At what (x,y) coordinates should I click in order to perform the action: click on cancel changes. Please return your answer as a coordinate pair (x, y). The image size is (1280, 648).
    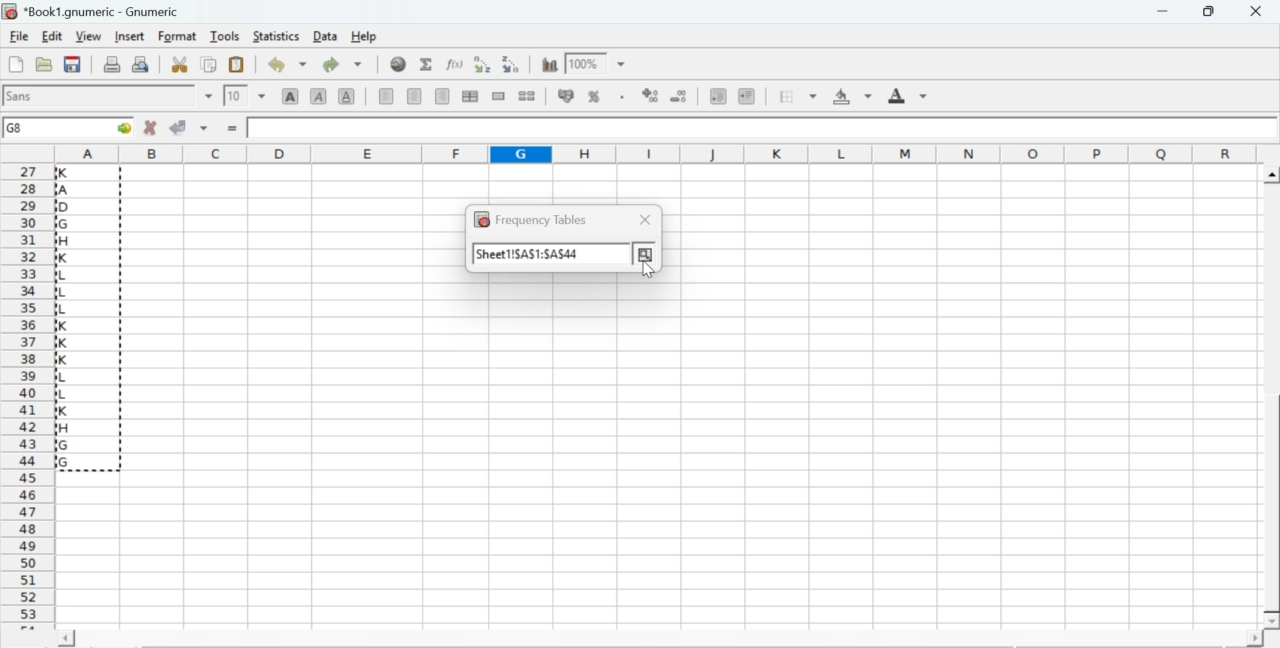
    Looking at the image, I should click on (151, 127).